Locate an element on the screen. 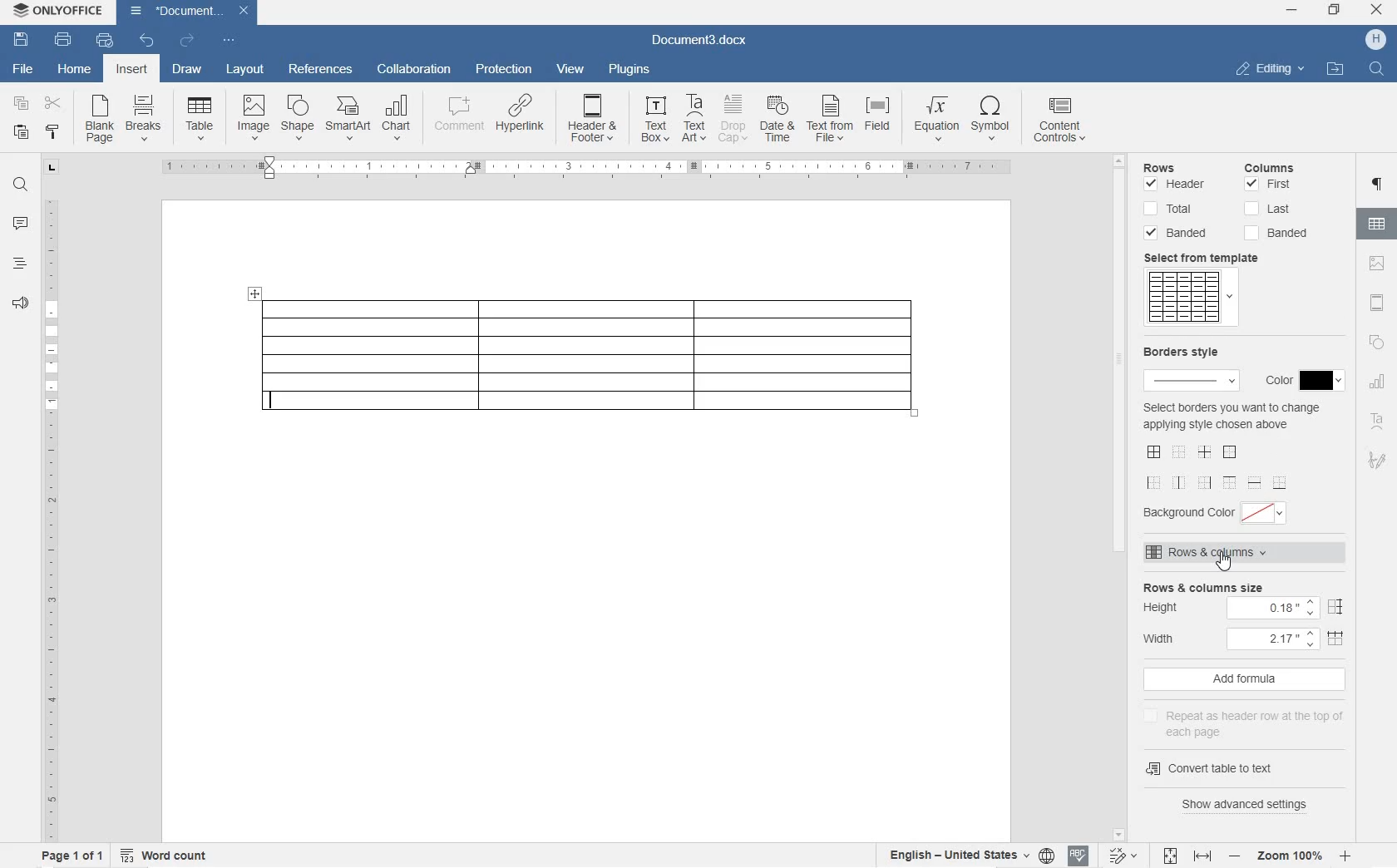 The width and height of the screenshot is (1397, 868). CURSOR is located at coordinates (1224, 564).